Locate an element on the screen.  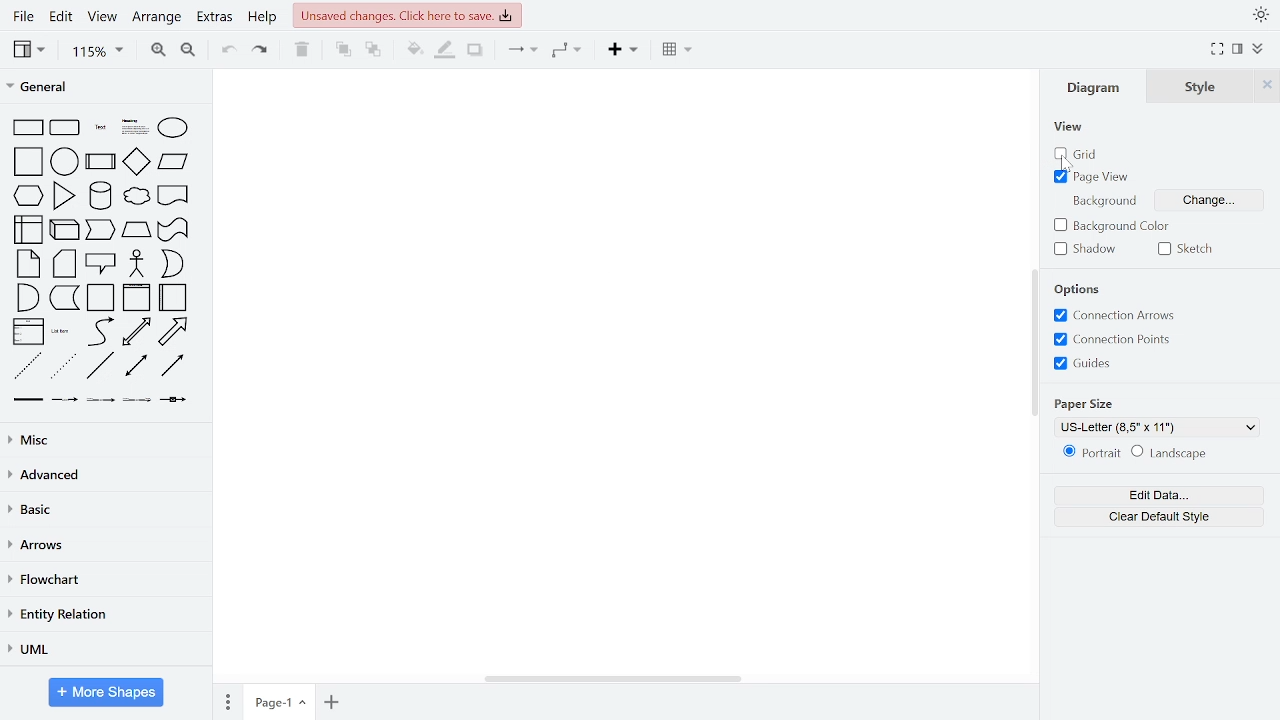
UML is located at coordinates (103, 650).